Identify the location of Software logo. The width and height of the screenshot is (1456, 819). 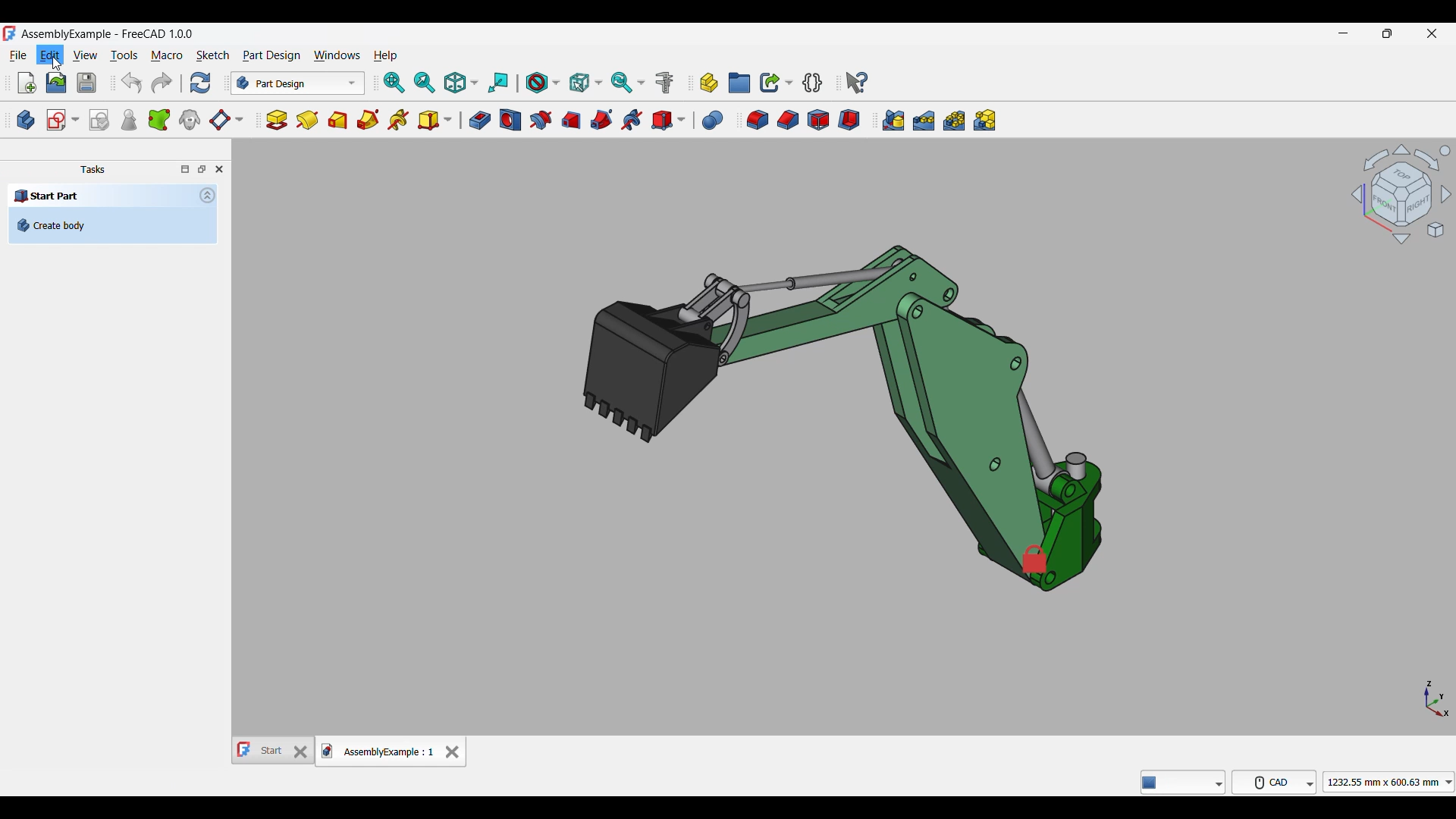
(9, 33).